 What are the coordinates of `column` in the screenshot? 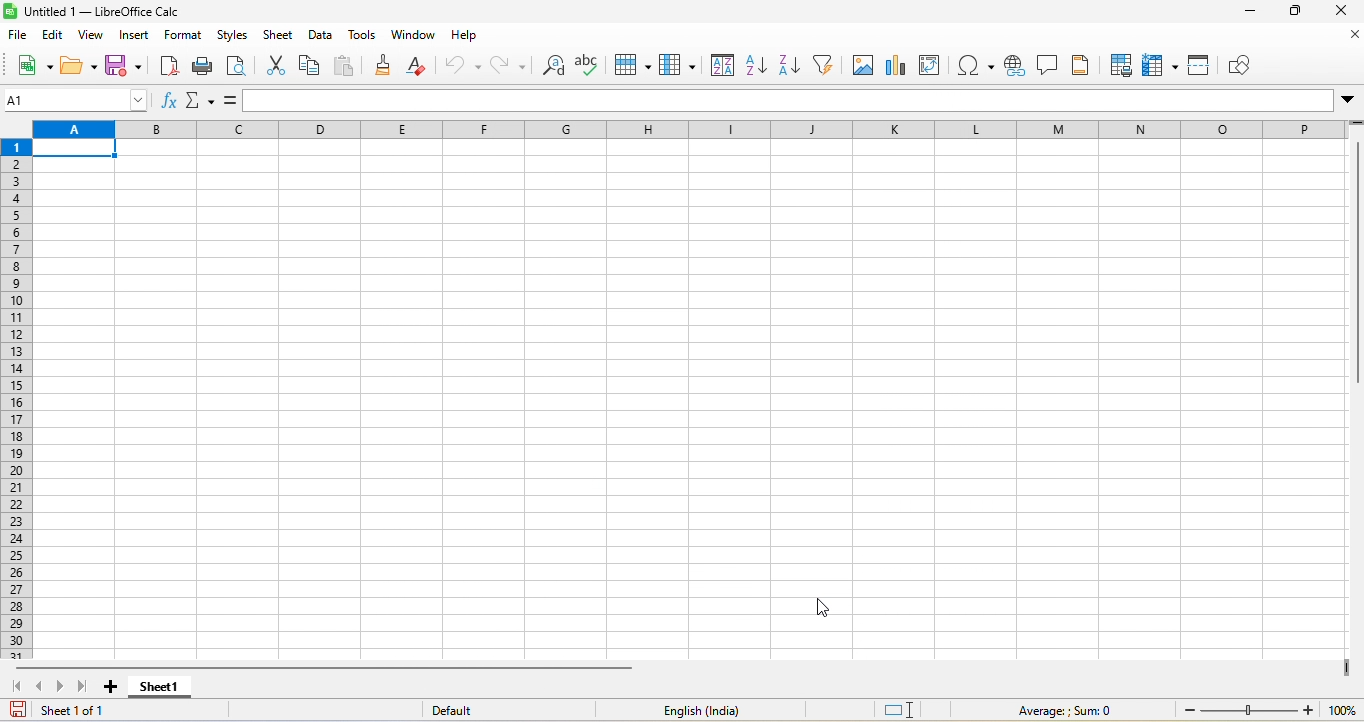 It's located at (680, 65).